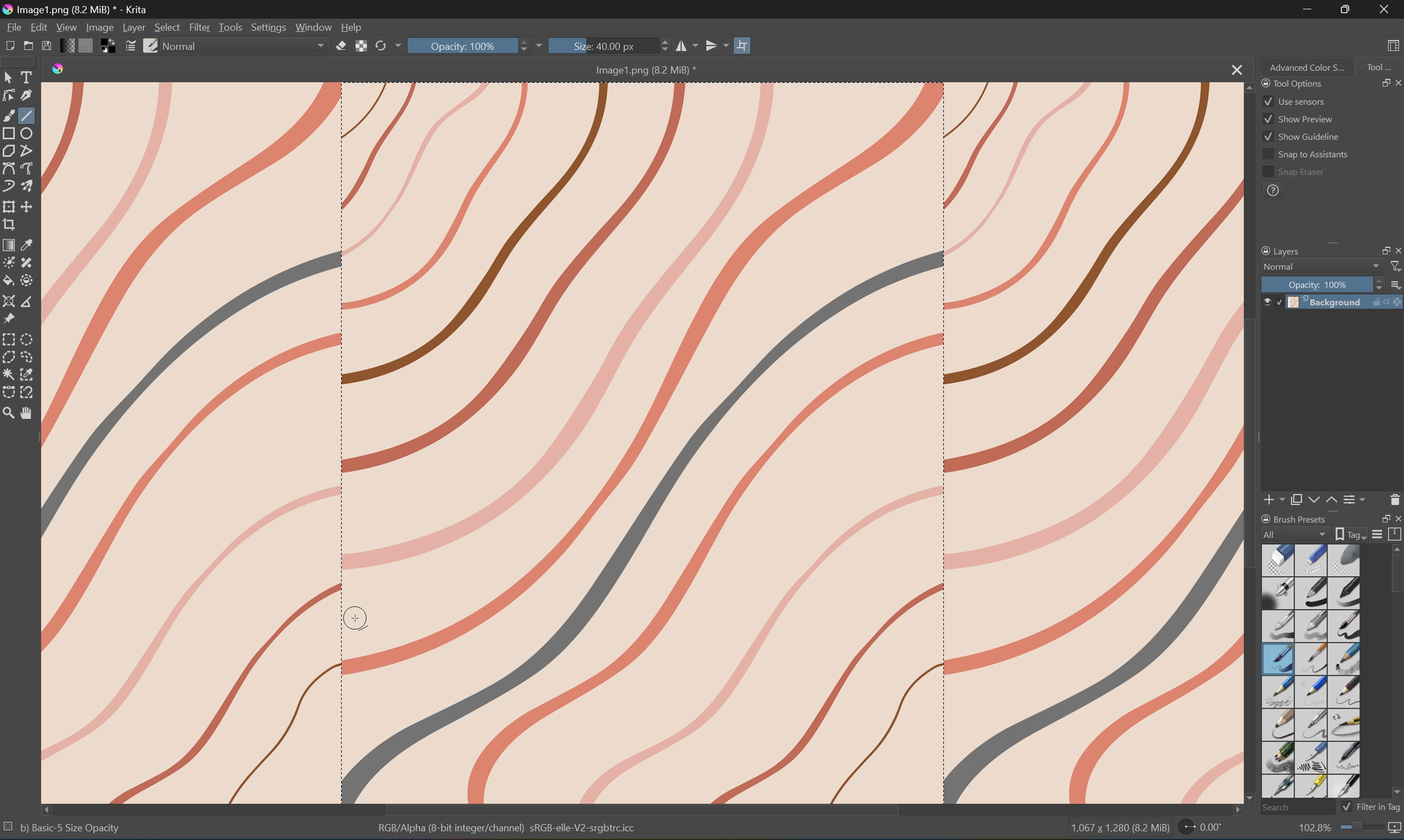 The width and height of the screenshot is (1404, 840). What do you see at coordinates (28, 374) in the screenshot?
I see `Similar color selection tool` at bounding box center [28, 374].